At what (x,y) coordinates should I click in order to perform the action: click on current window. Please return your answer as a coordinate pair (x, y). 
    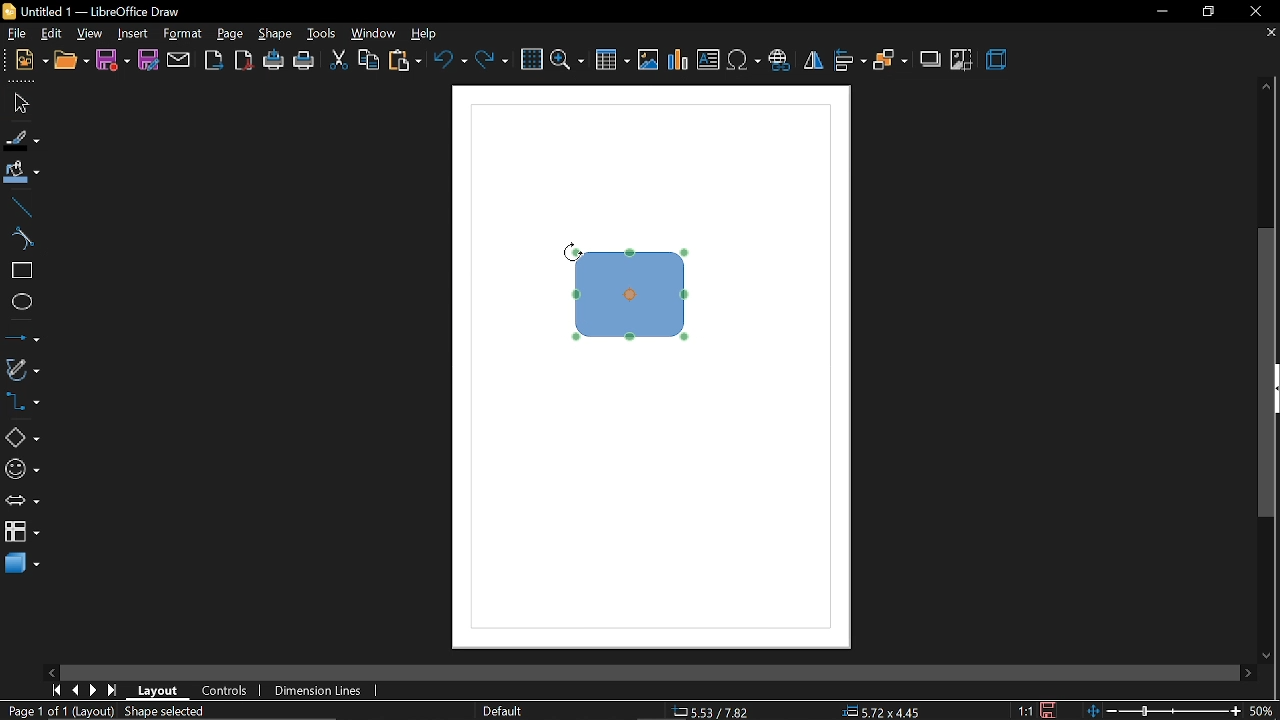
    Looking at the image, I should click on (93, 11).